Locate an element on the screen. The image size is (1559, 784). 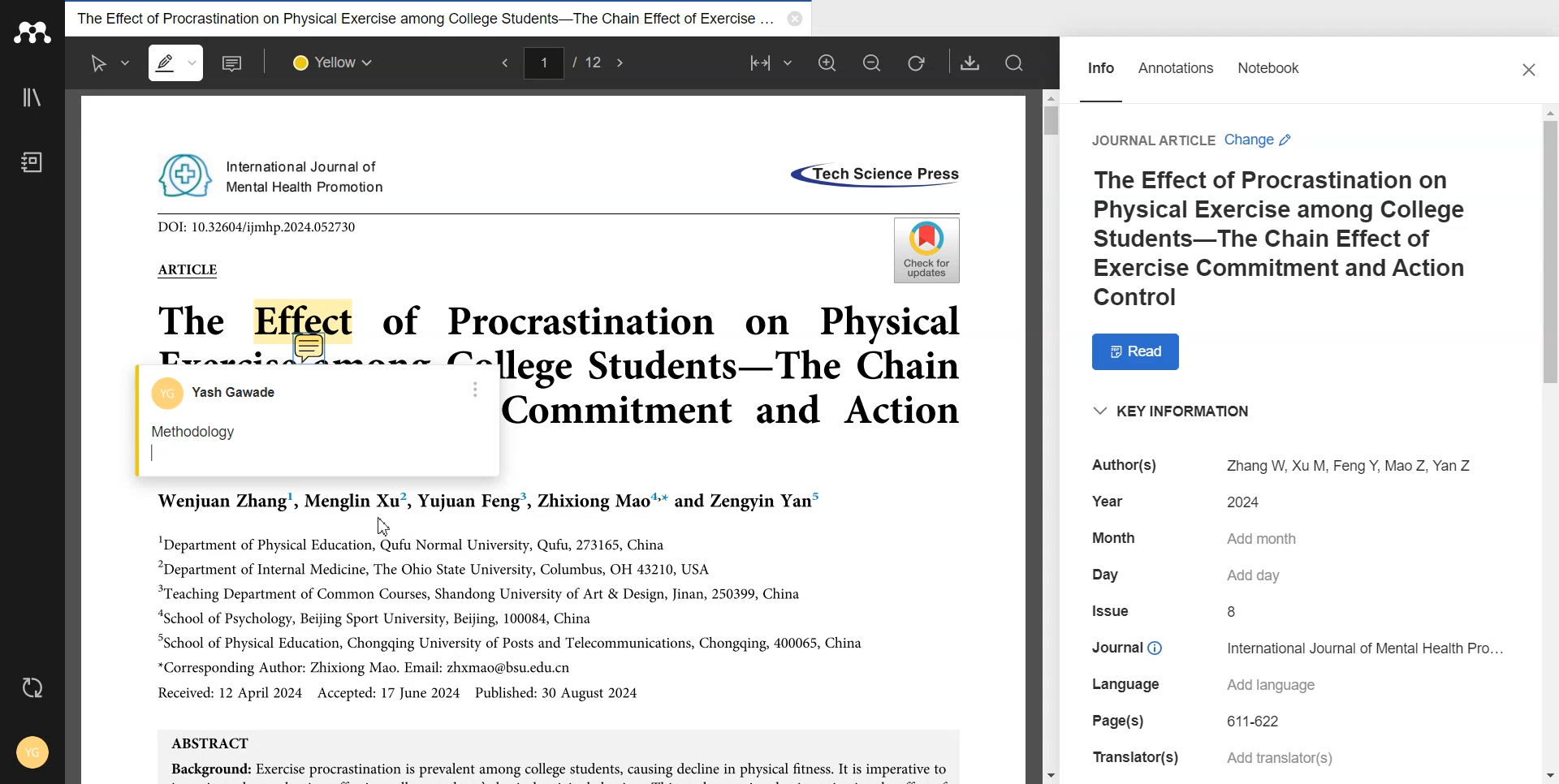
Language Add language is located at coordinates (1203, 686).